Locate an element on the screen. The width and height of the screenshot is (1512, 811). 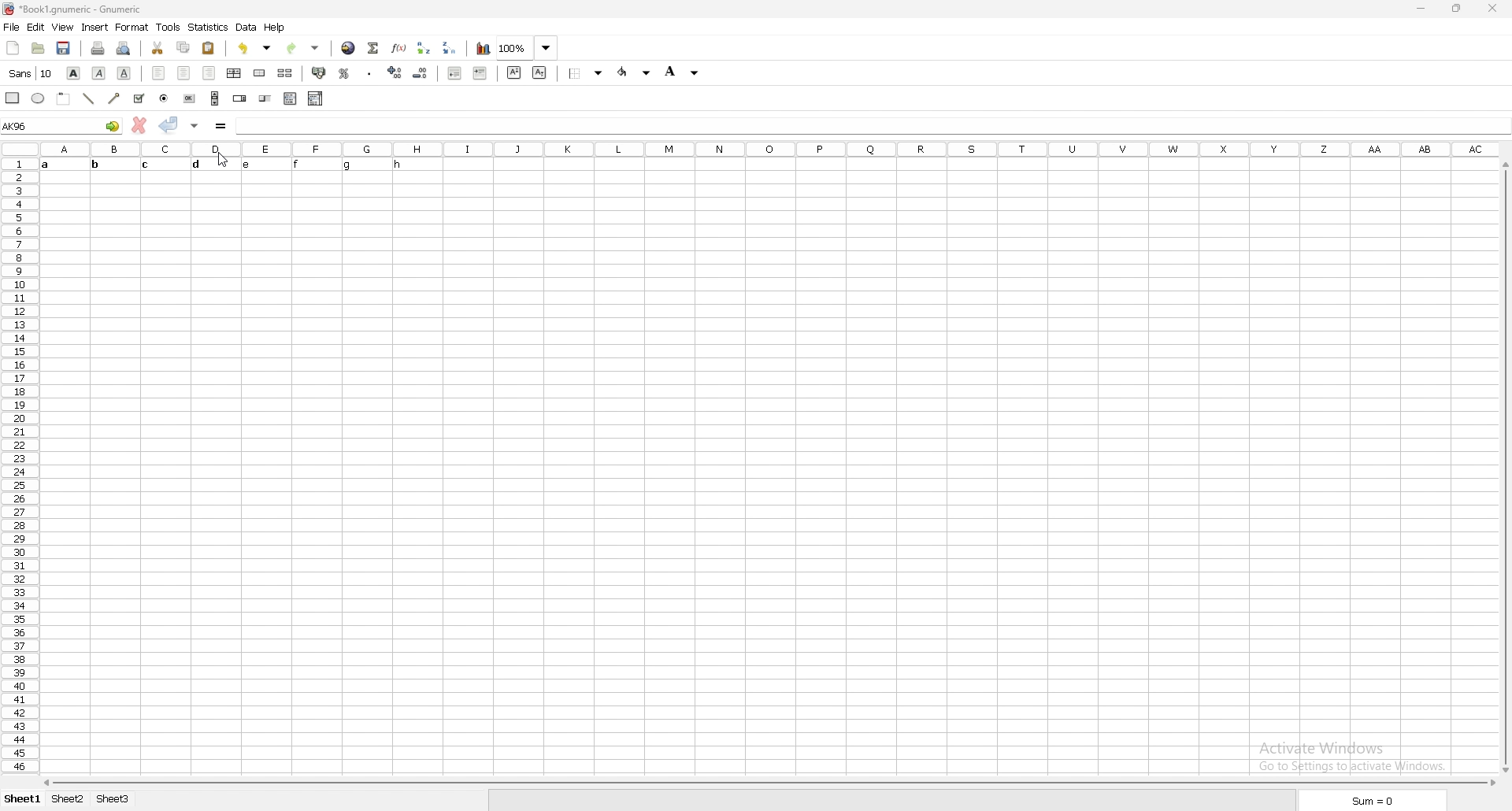
line is located at coordinates (90, 98).